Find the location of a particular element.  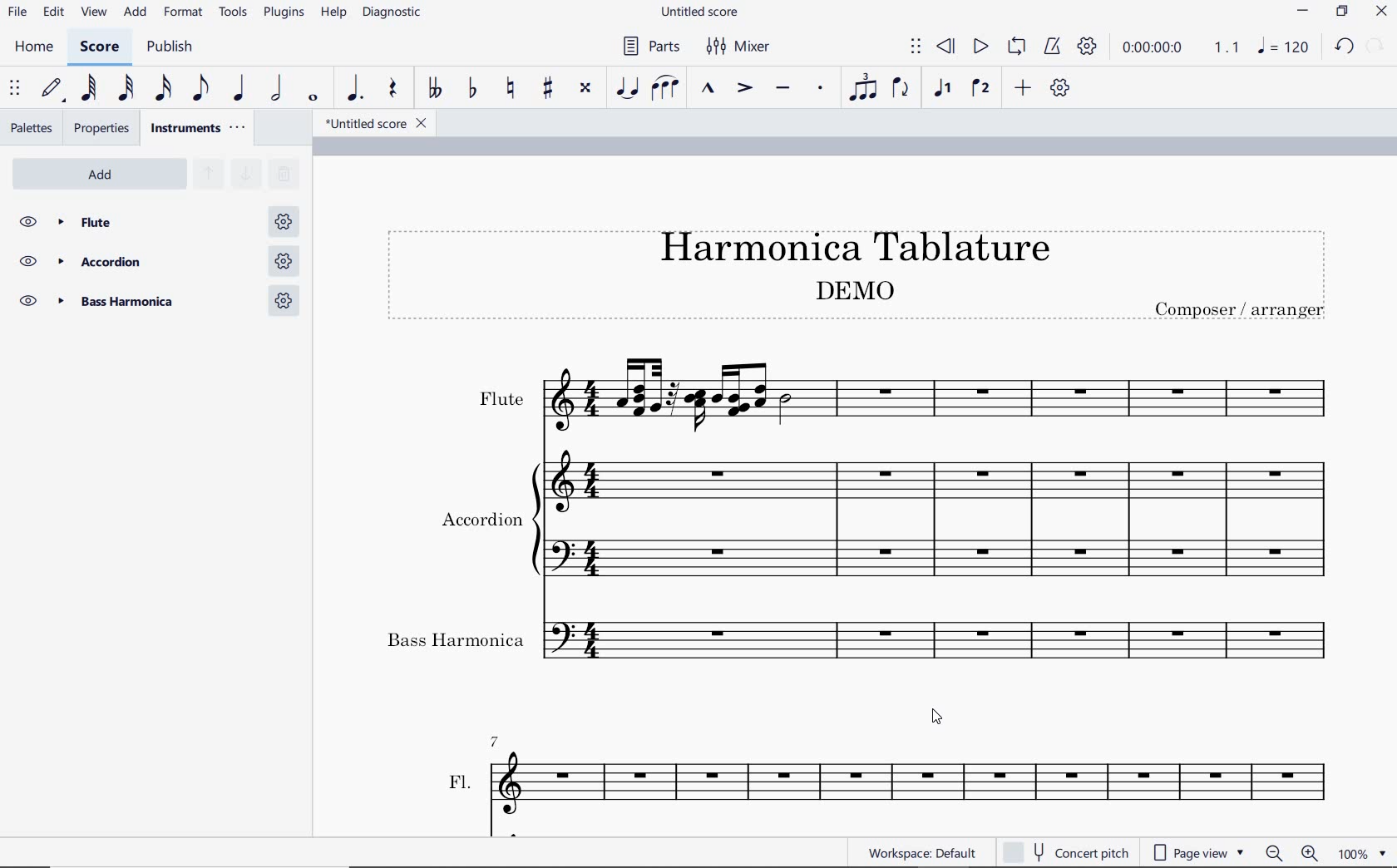

add is located at coordinates (1021, 89).